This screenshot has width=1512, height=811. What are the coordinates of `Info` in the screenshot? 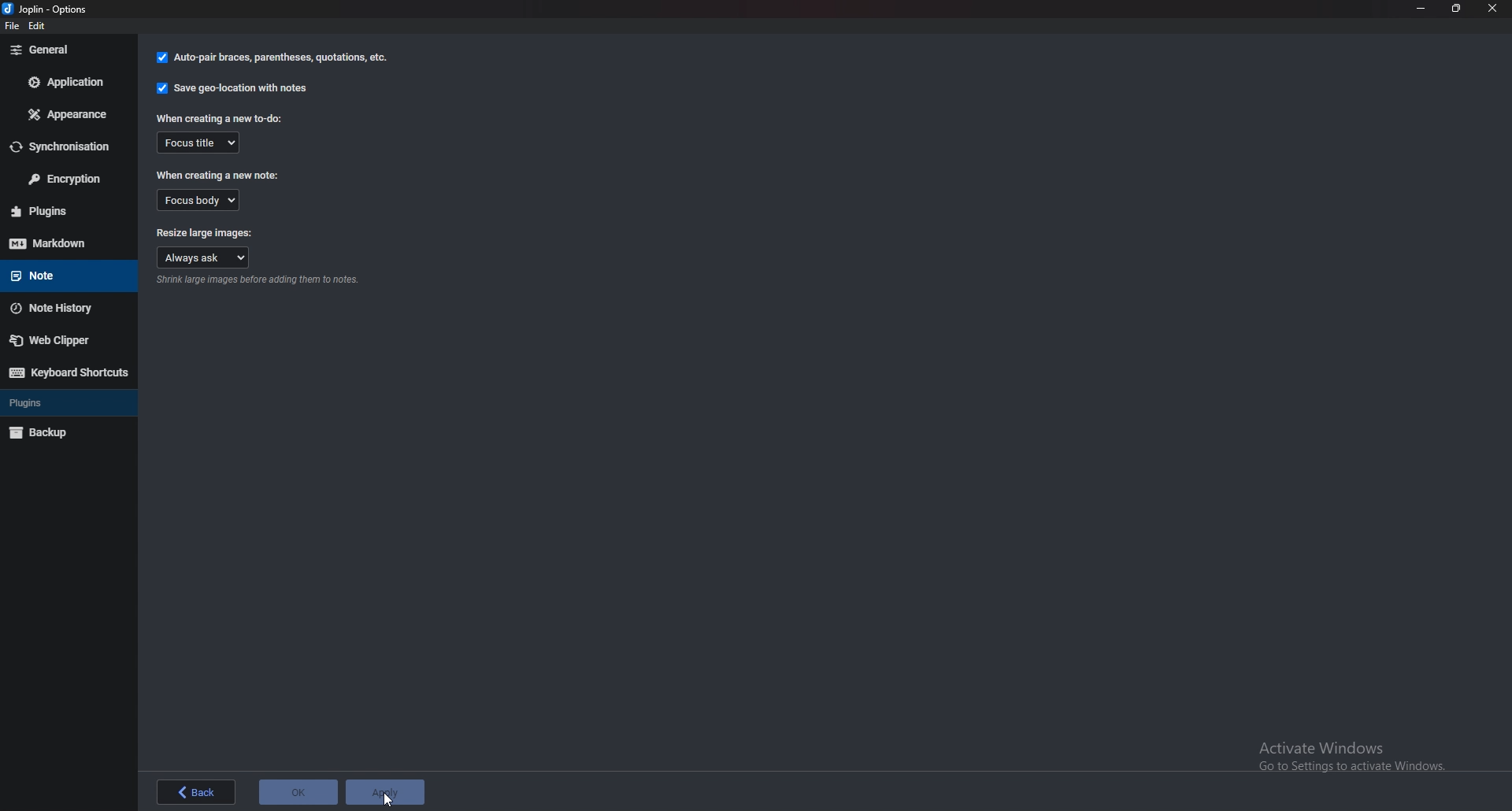 It's located at (259, 280).